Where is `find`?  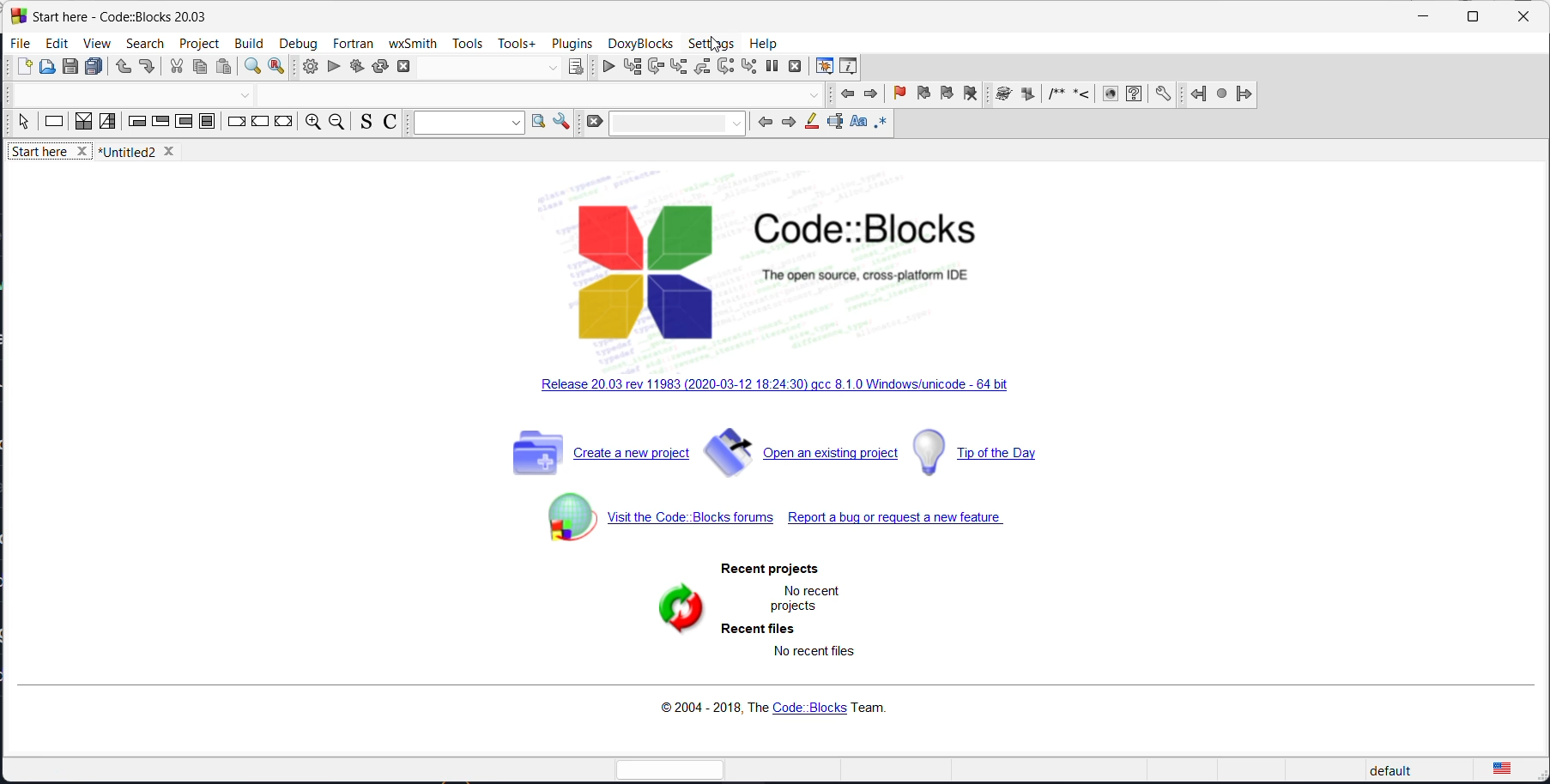 find is located at coordinates (251, 69).